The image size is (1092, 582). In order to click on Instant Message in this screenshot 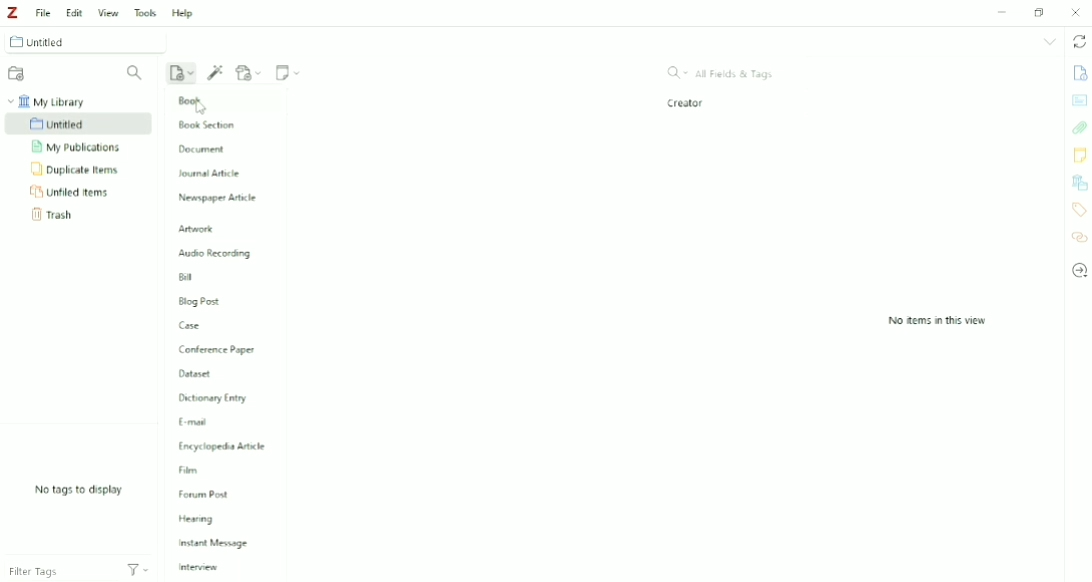, I will do `click(216, 543)`.